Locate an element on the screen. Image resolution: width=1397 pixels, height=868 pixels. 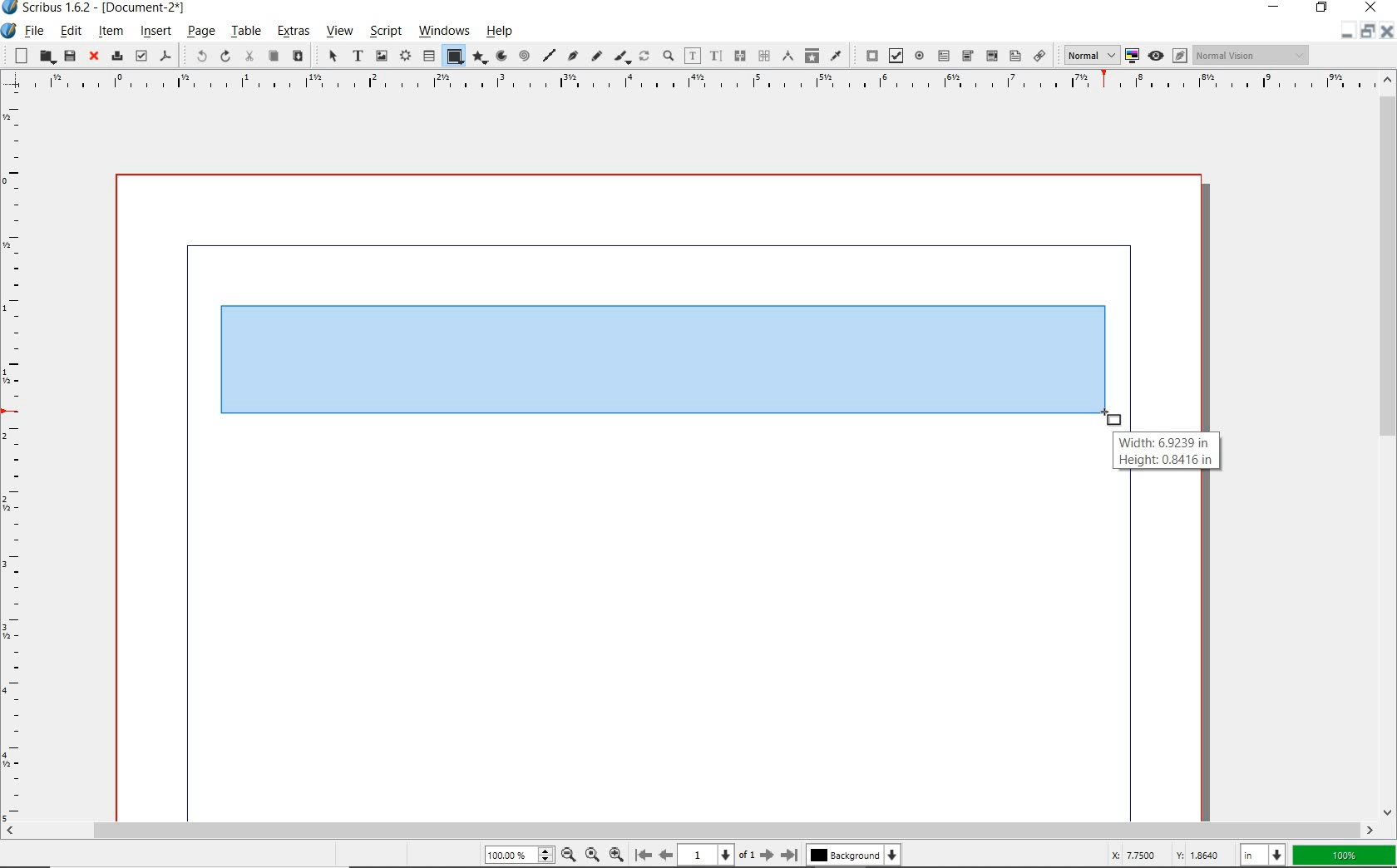
move to next is located at coordinates (768, 855).